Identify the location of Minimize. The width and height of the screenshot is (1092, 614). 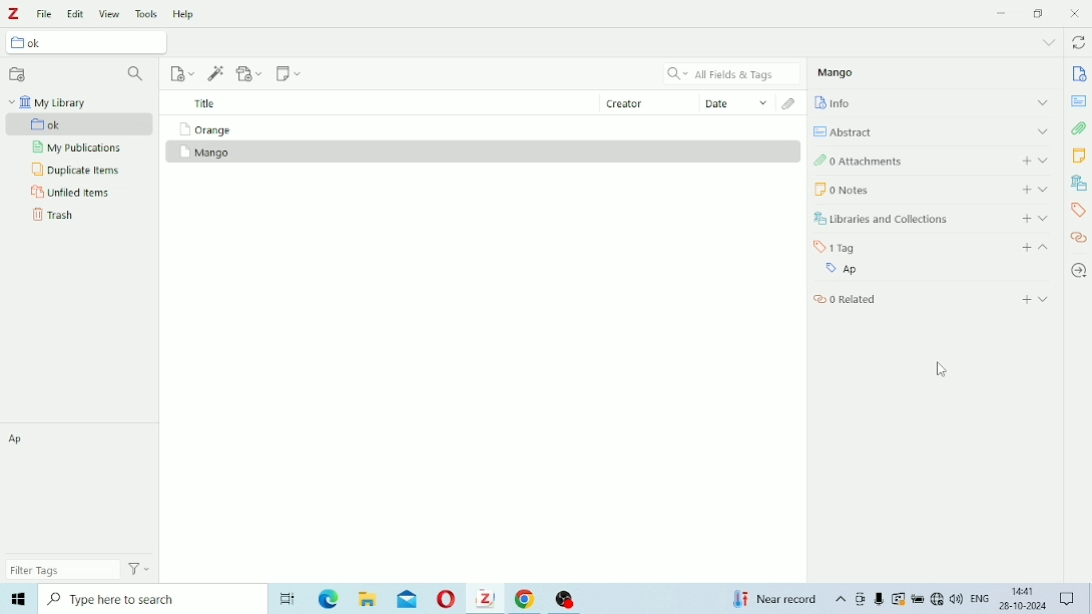
(1003, 13).